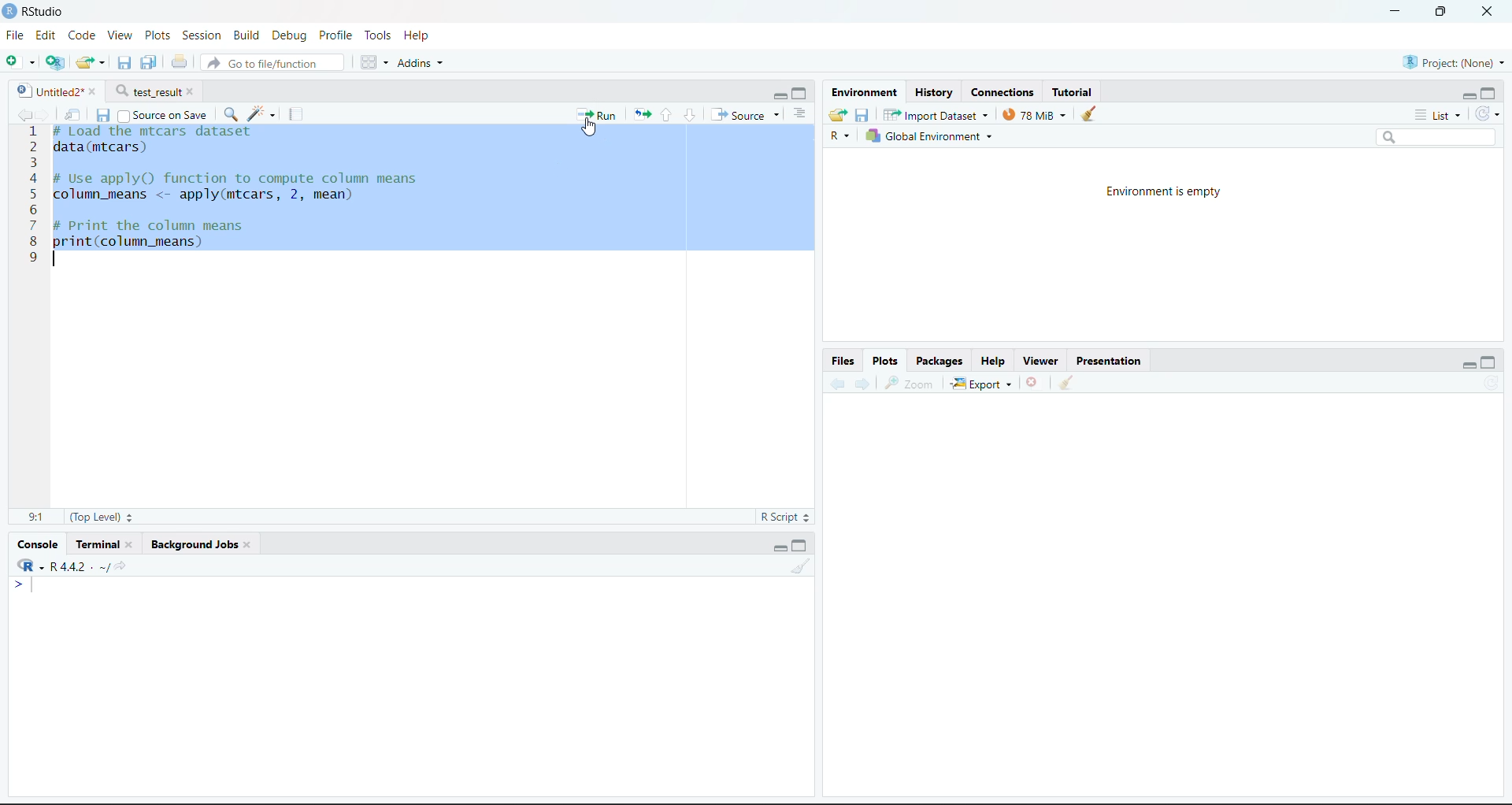 Image resolution: width=1512 pixels, height=805 pixels. I want to click on RStudio, so click(41, 11).